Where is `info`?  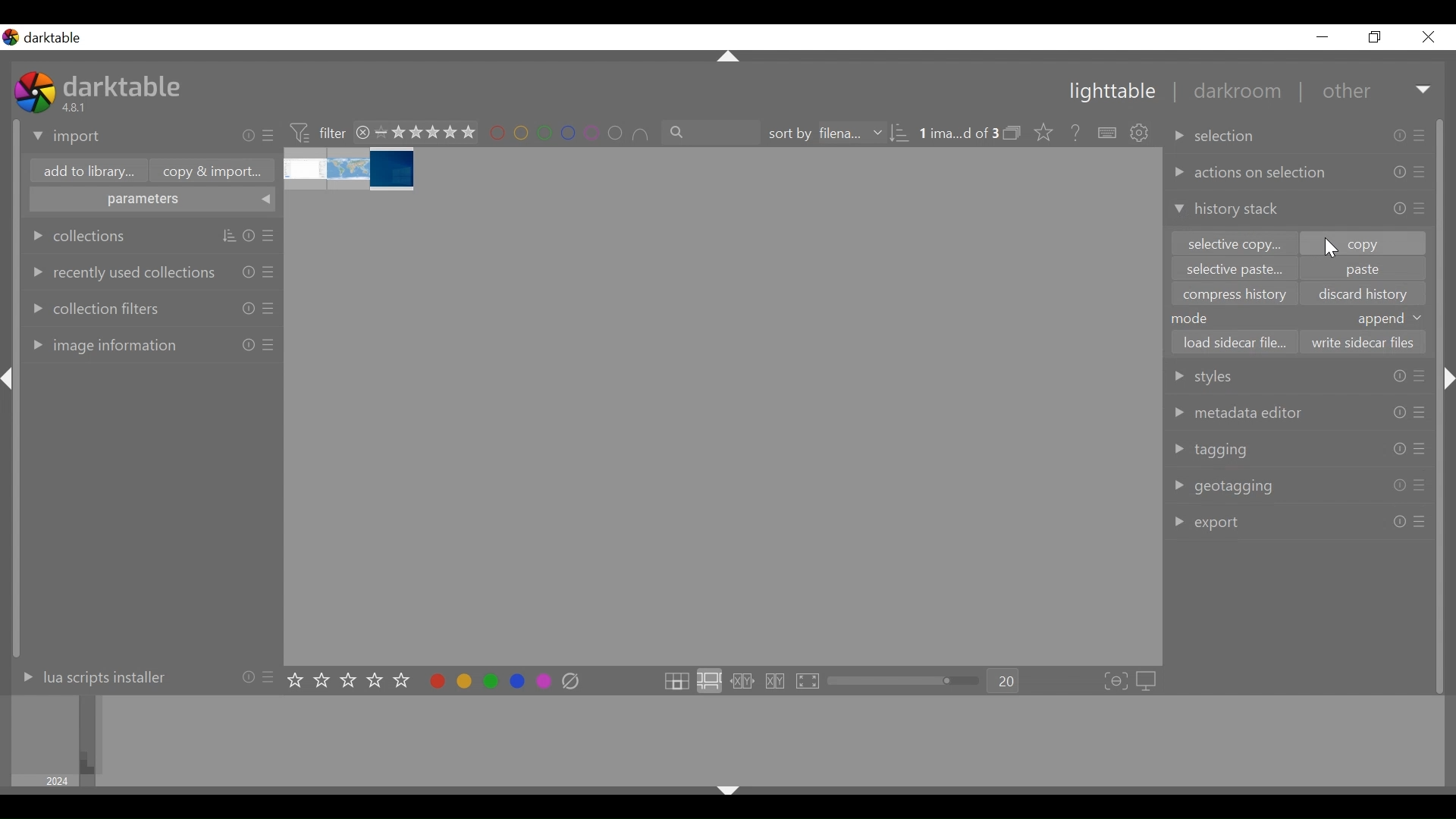 info is located at coordinates (249, 237).